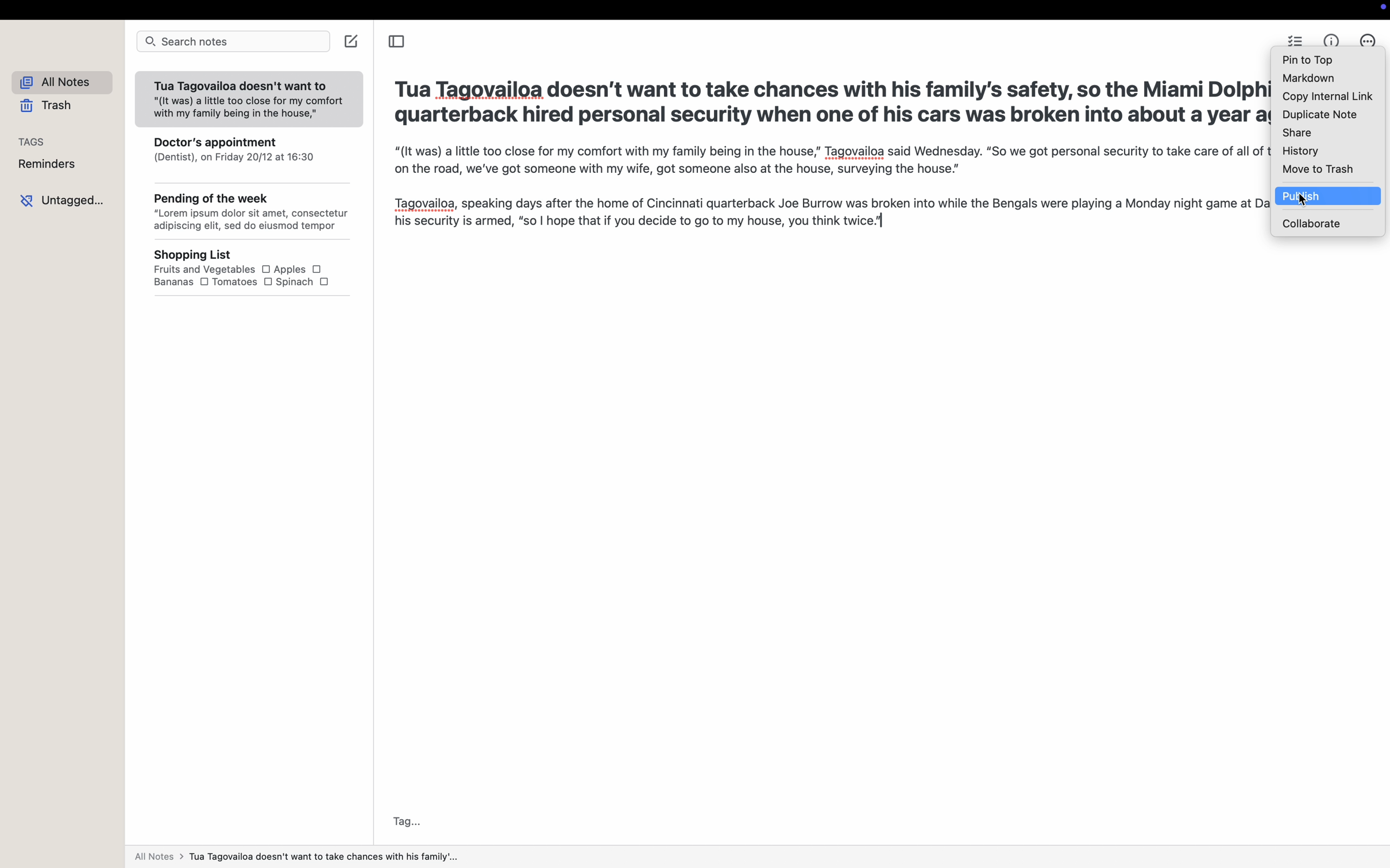 The image size is (1390, 868). What do you see at coordinates (1333, 39) in the screenshot?
I see `metrics` at bounding box center [1333, 39].